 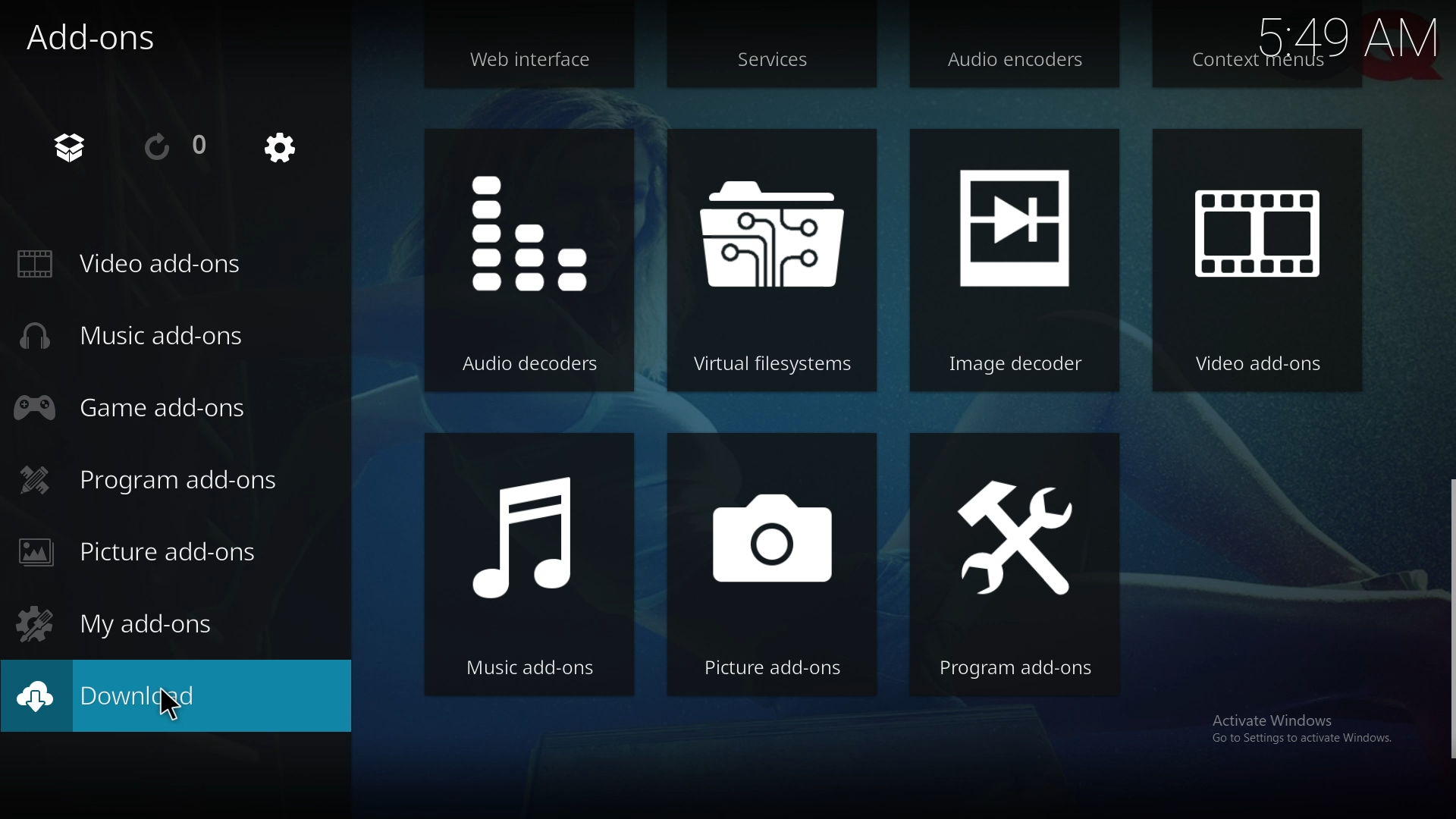 I want to click on video add ons, so click(x=1260, y=260).